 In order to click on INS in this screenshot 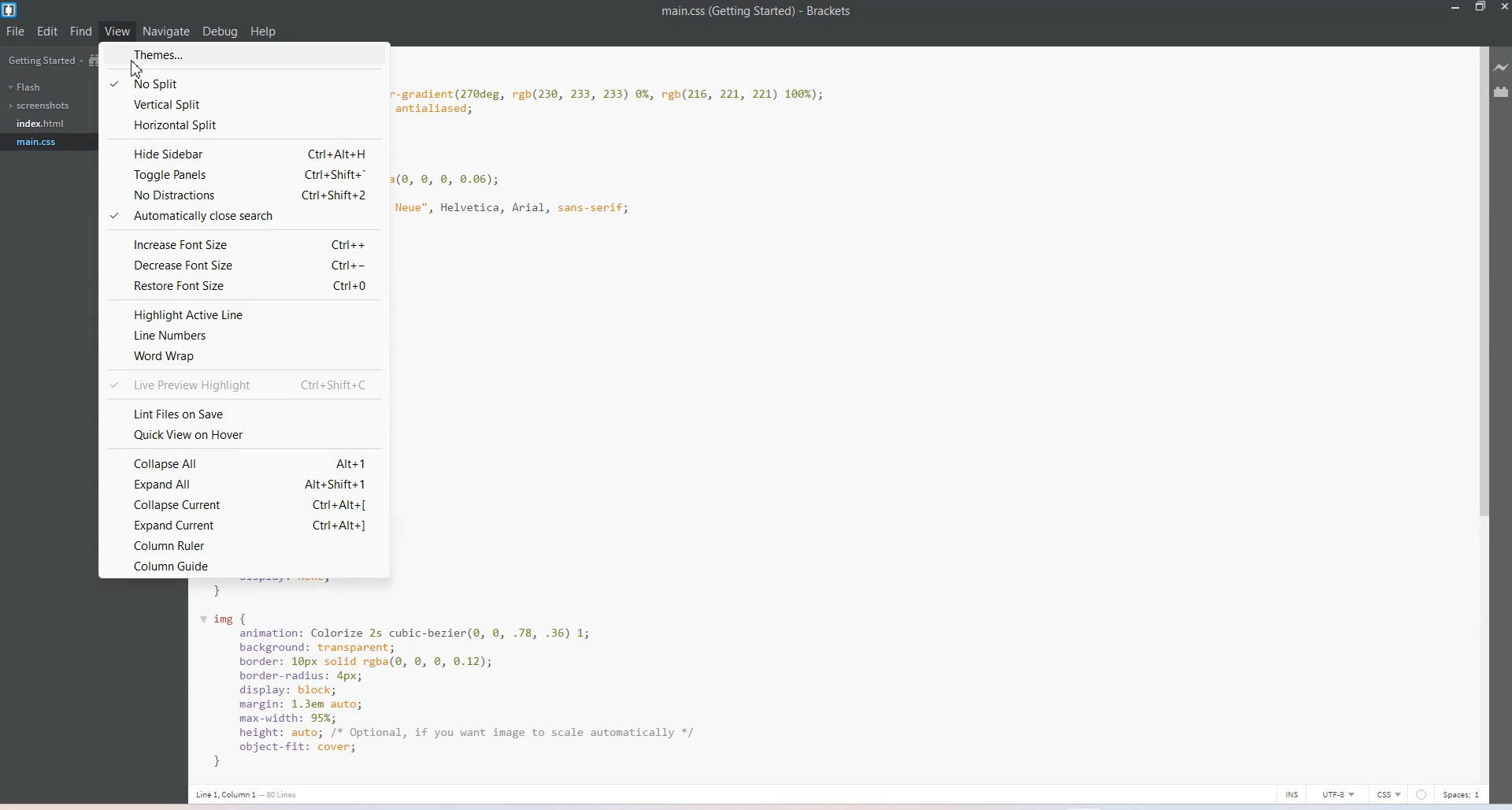, I will do `click(1292, 793)`.